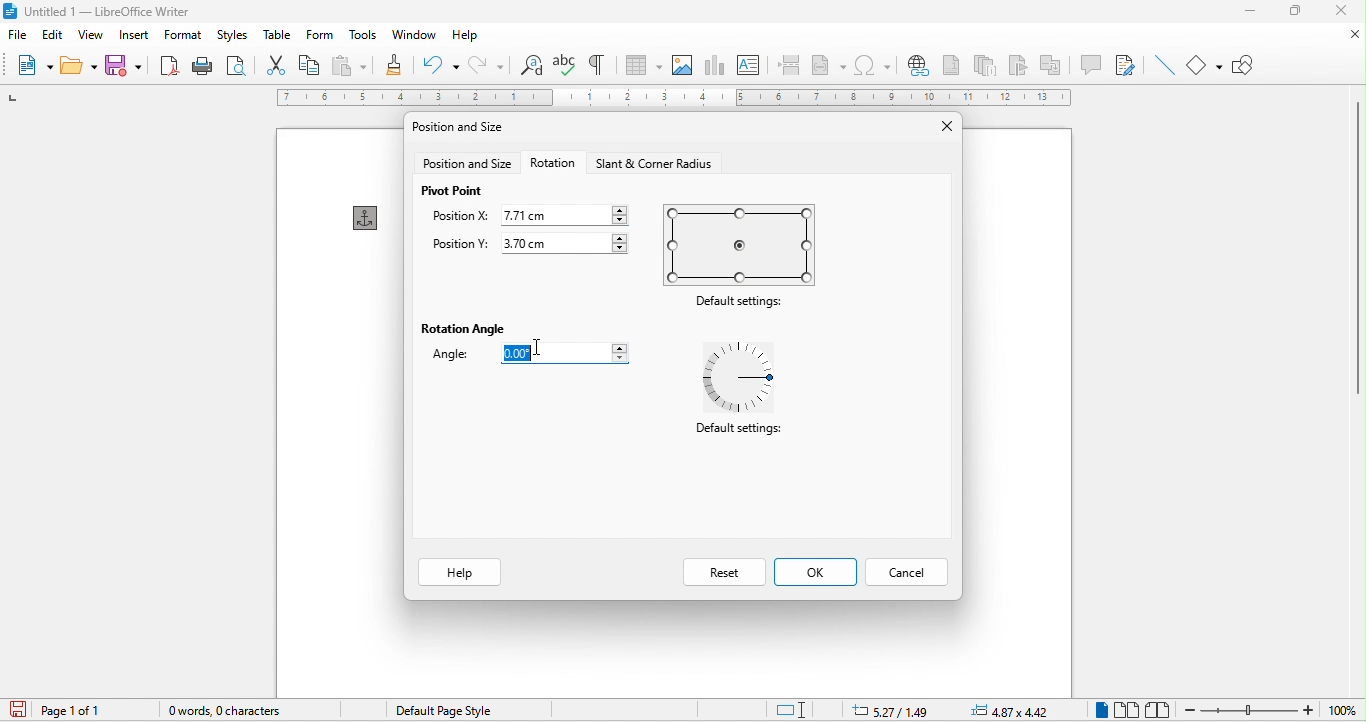  I want to click on close, so click(937, 125).